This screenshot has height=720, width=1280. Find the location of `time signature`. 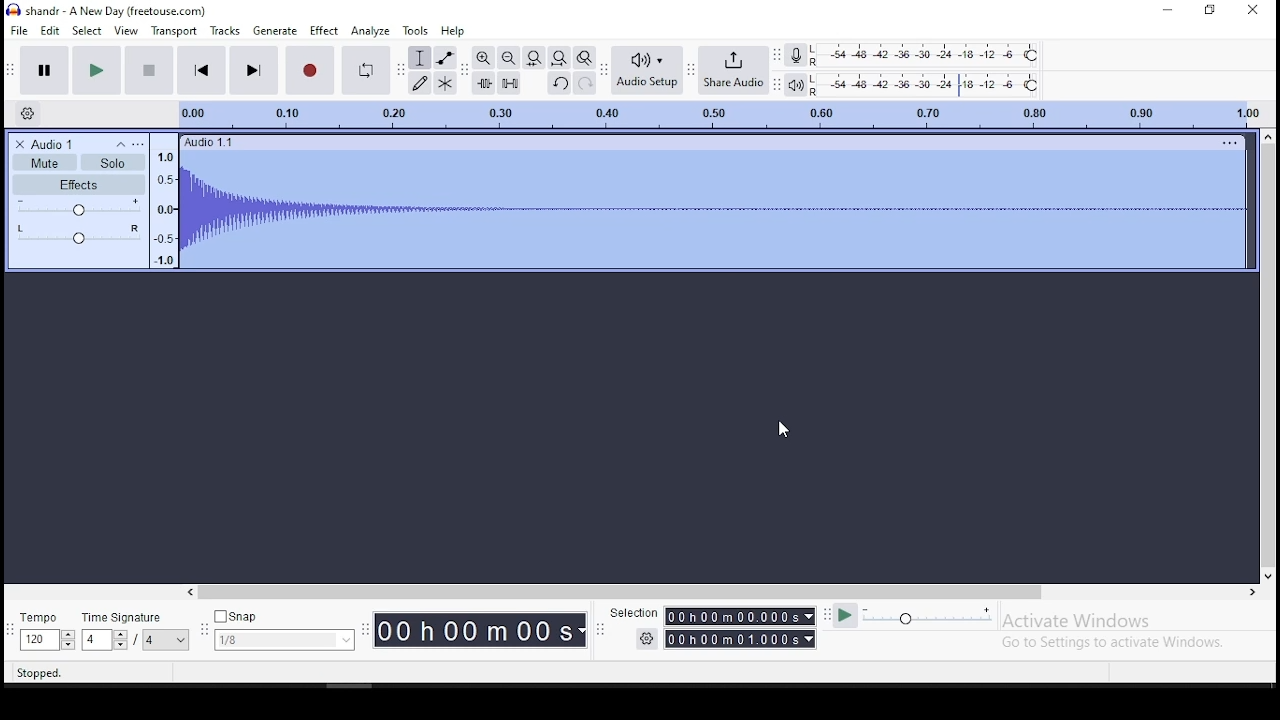

time signature is located at coordinates (136, 631).